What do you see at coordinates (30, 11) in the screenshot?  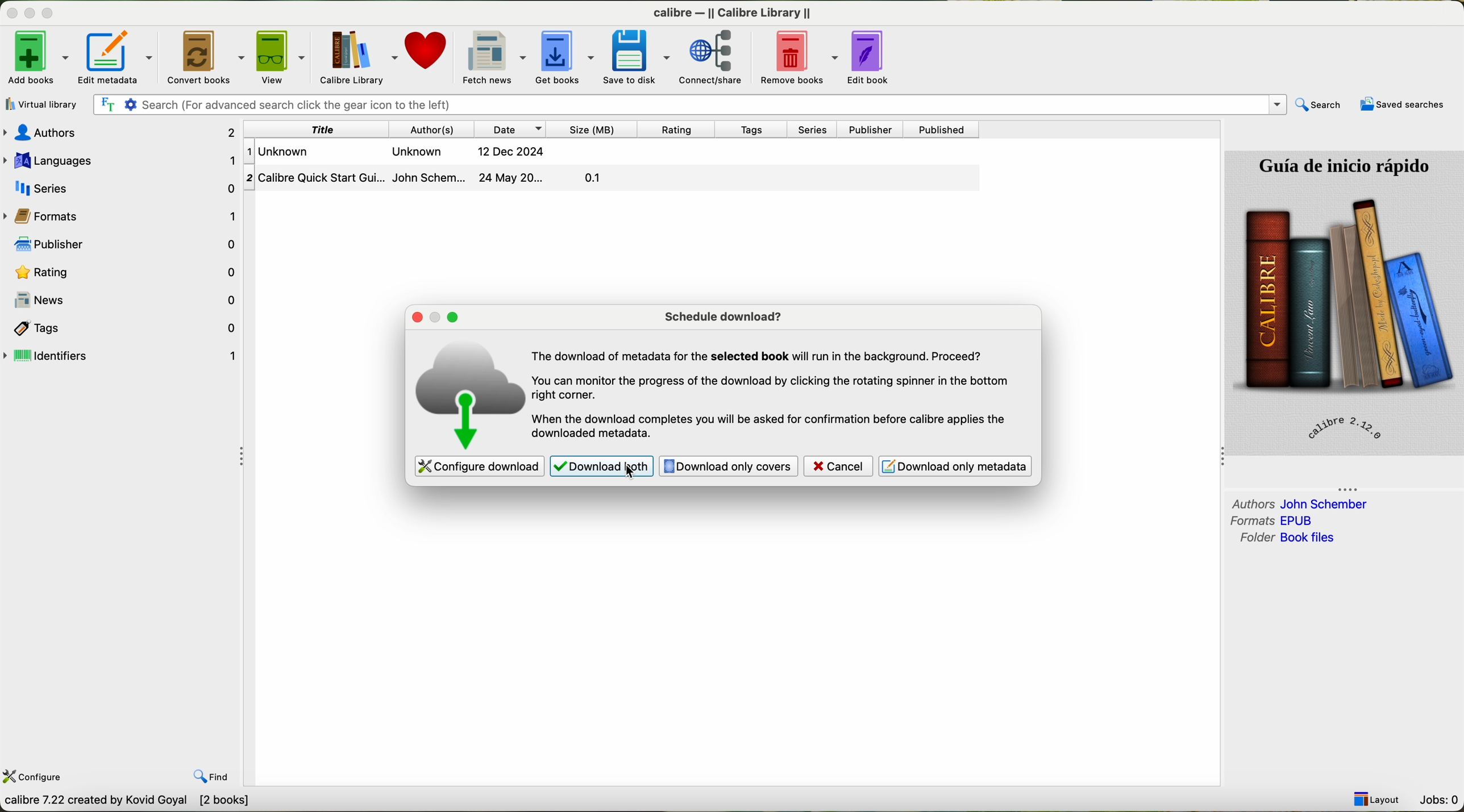 I see `disable buttons` at bounding box center [30, 11].